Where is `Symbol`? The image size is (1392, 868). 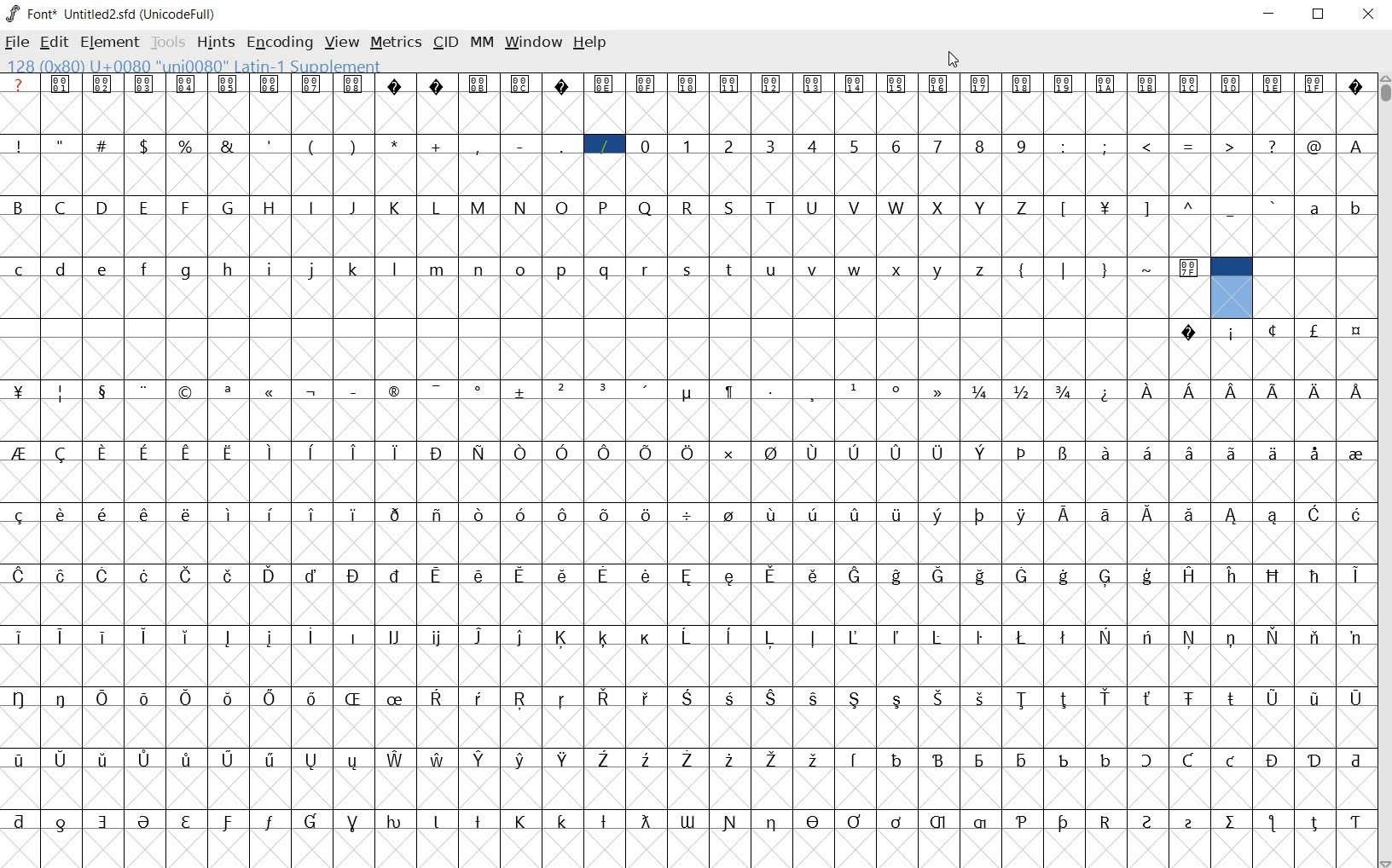
Symbol is located at coordinates (1024, 636).